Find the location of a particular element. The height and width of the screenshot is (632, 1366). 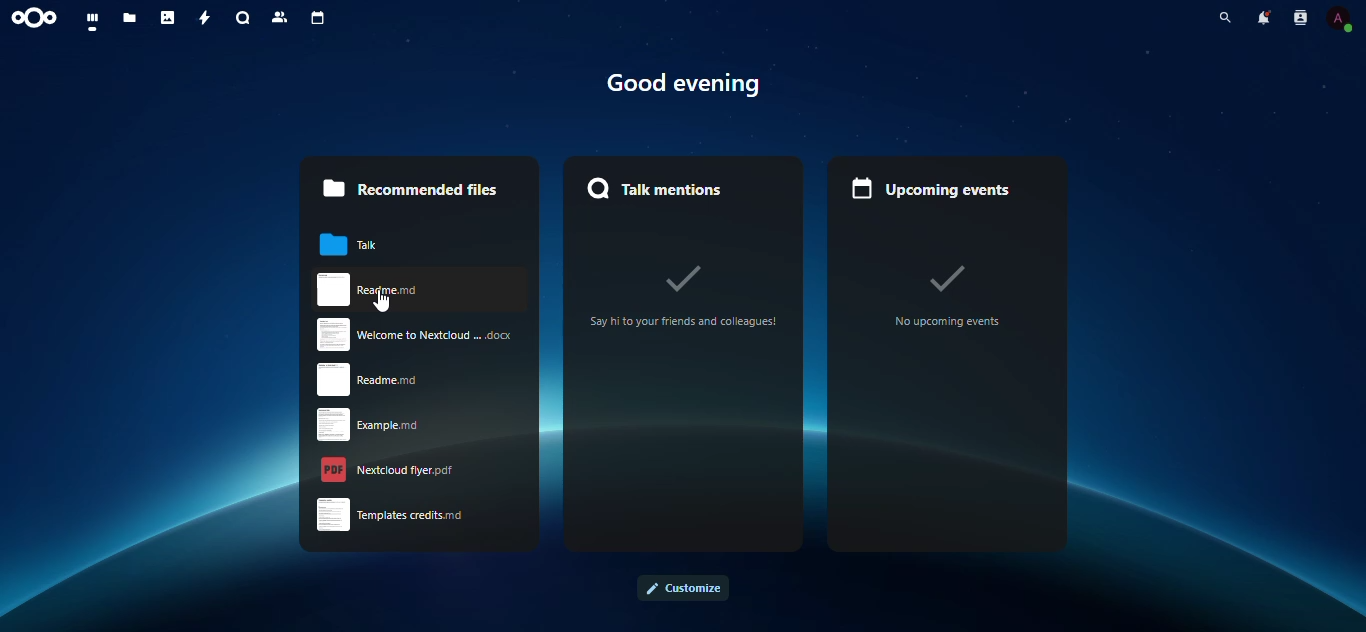

notifications is located at coordinates (1264, 17).